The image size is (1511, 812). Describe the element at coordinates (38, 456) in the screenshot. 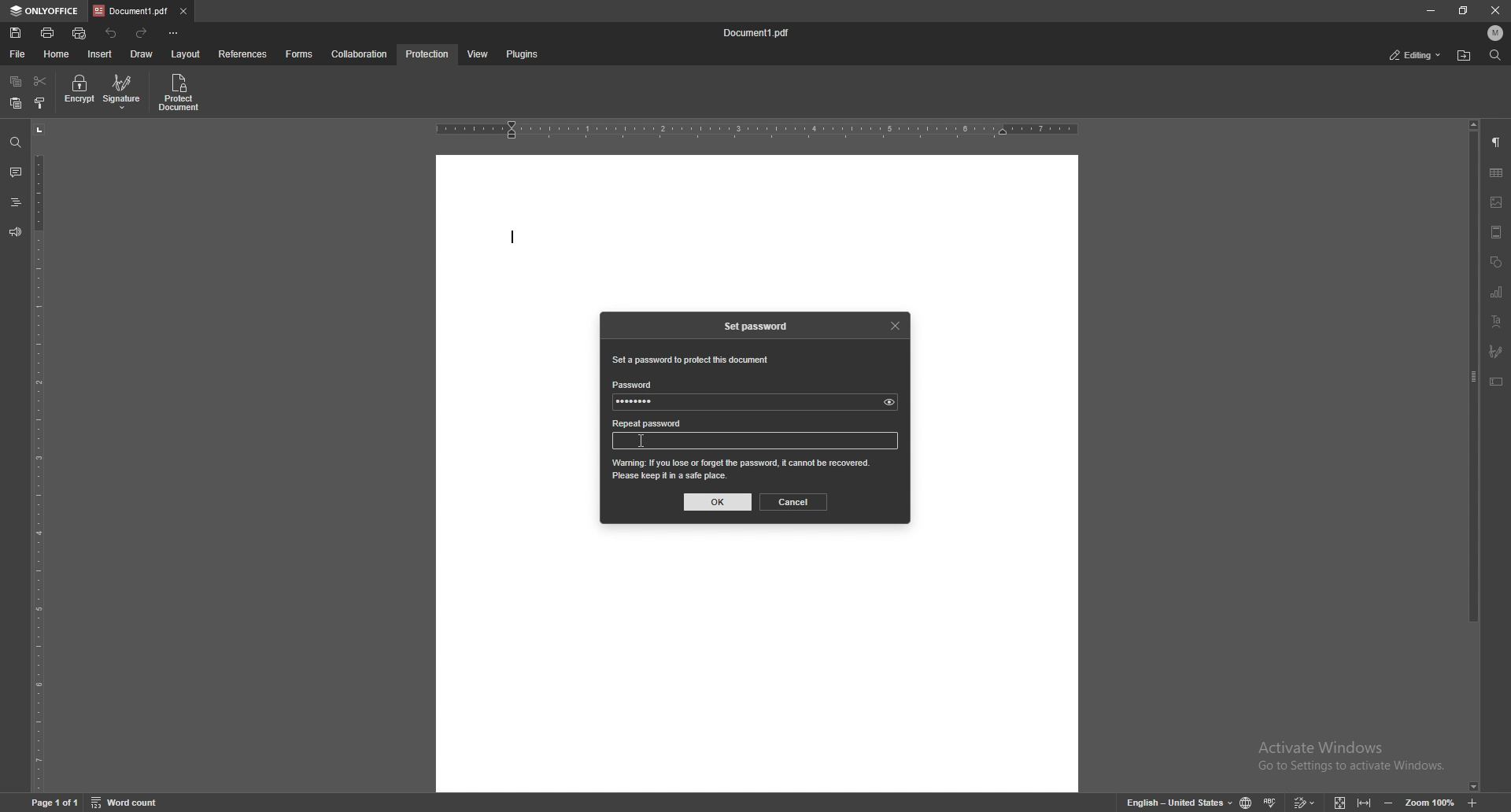

I see `vertical scale` at that location.